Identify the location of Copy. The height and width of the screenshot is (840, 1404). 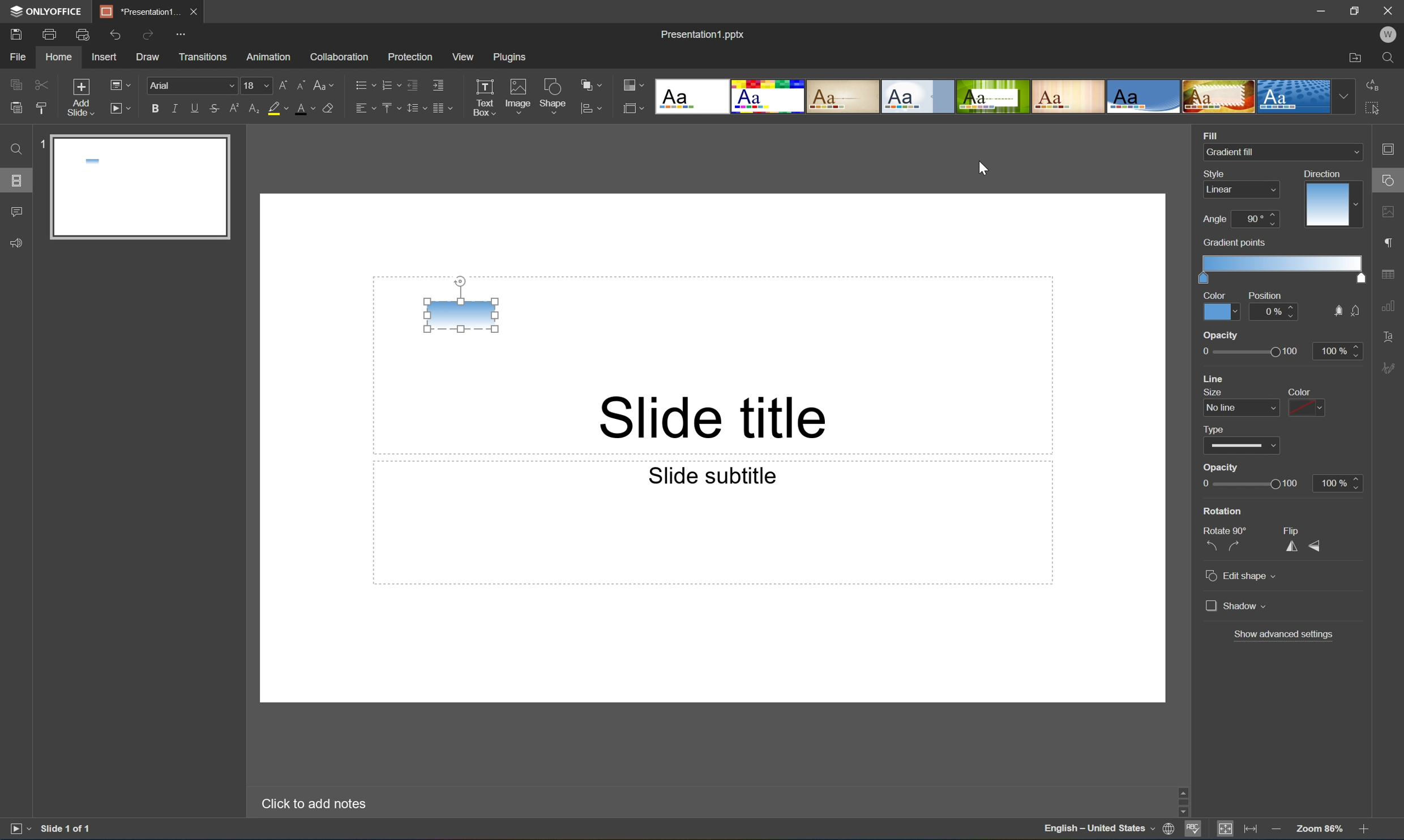
(16, 84).